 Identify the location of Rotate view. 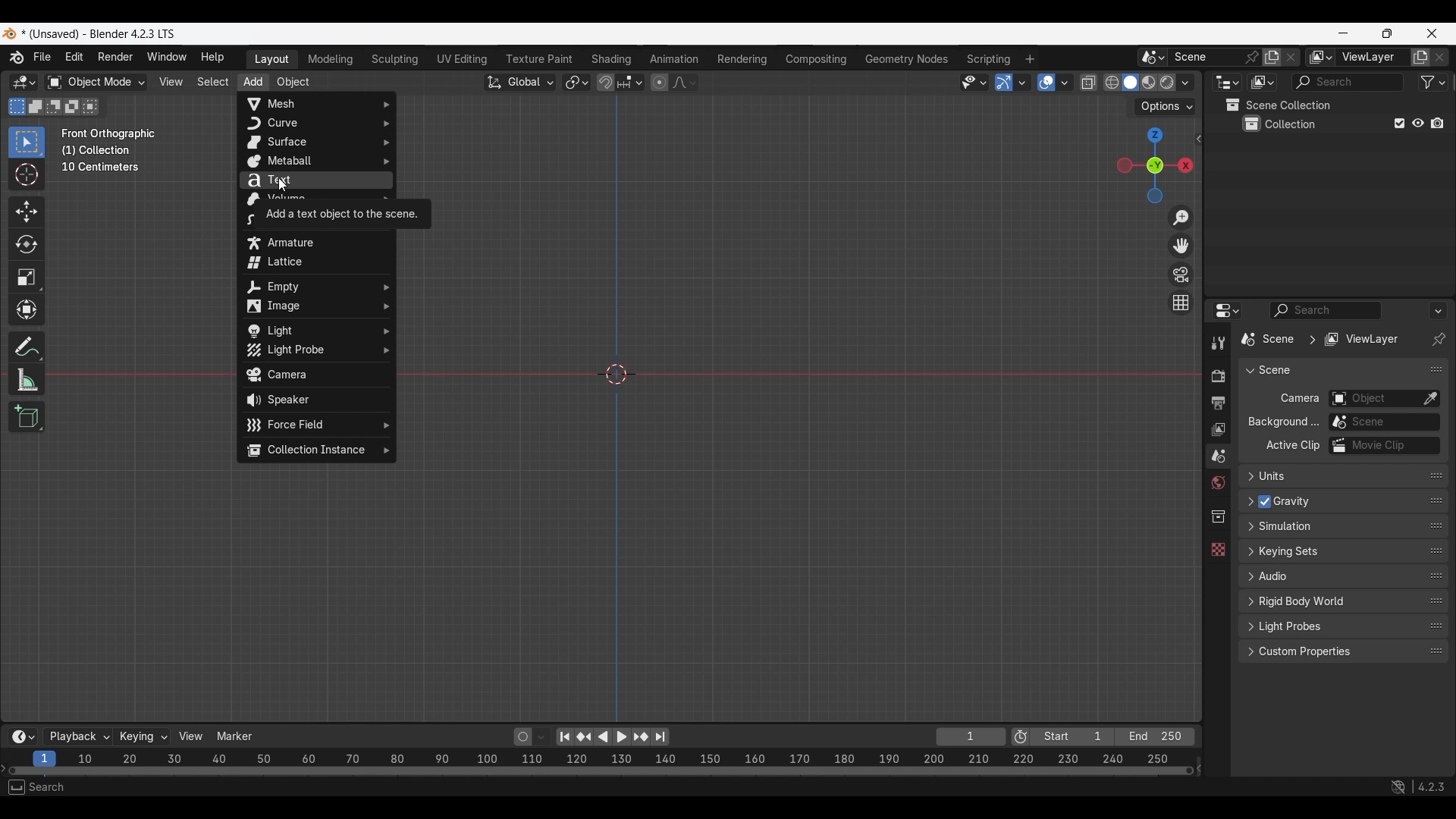
(262, 789).